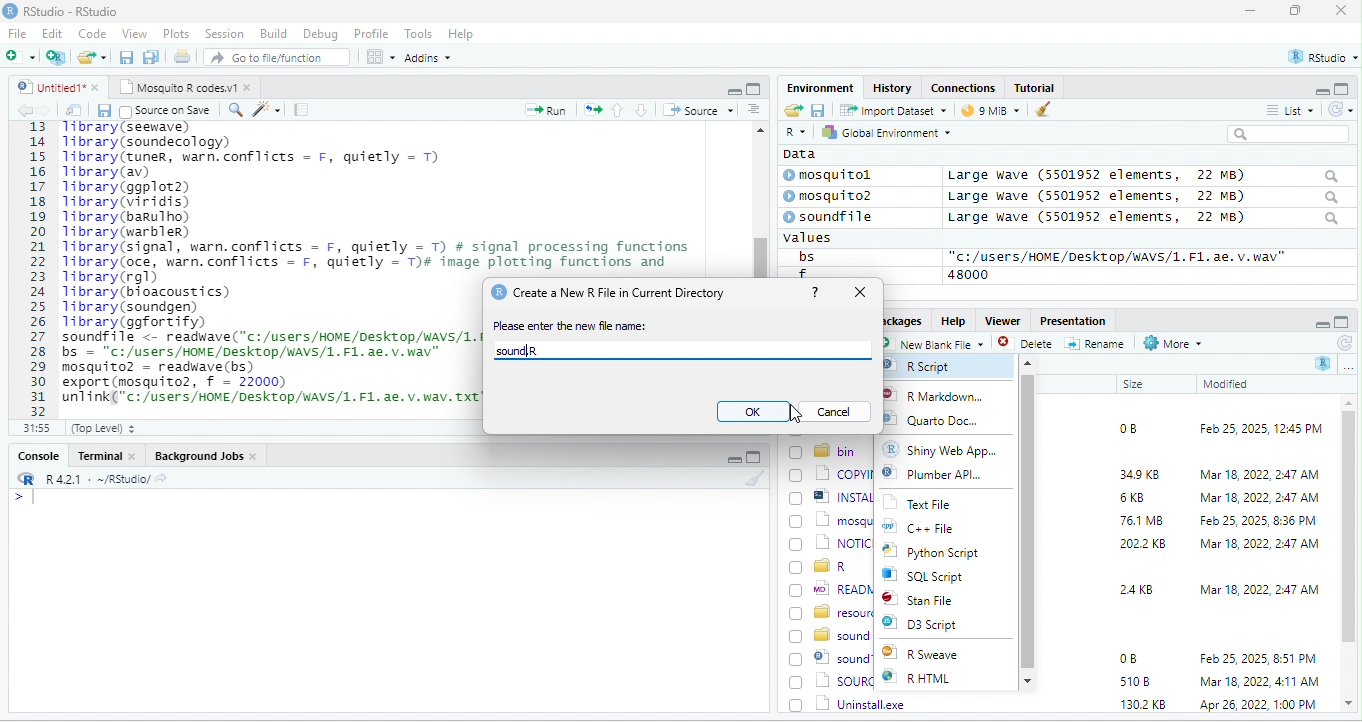 The width and height of the screenshot is (1362, 722). What do you see at coordinates (1134, 385) in the screenshot?
I see `Size` at bounding box center [1134, 385].